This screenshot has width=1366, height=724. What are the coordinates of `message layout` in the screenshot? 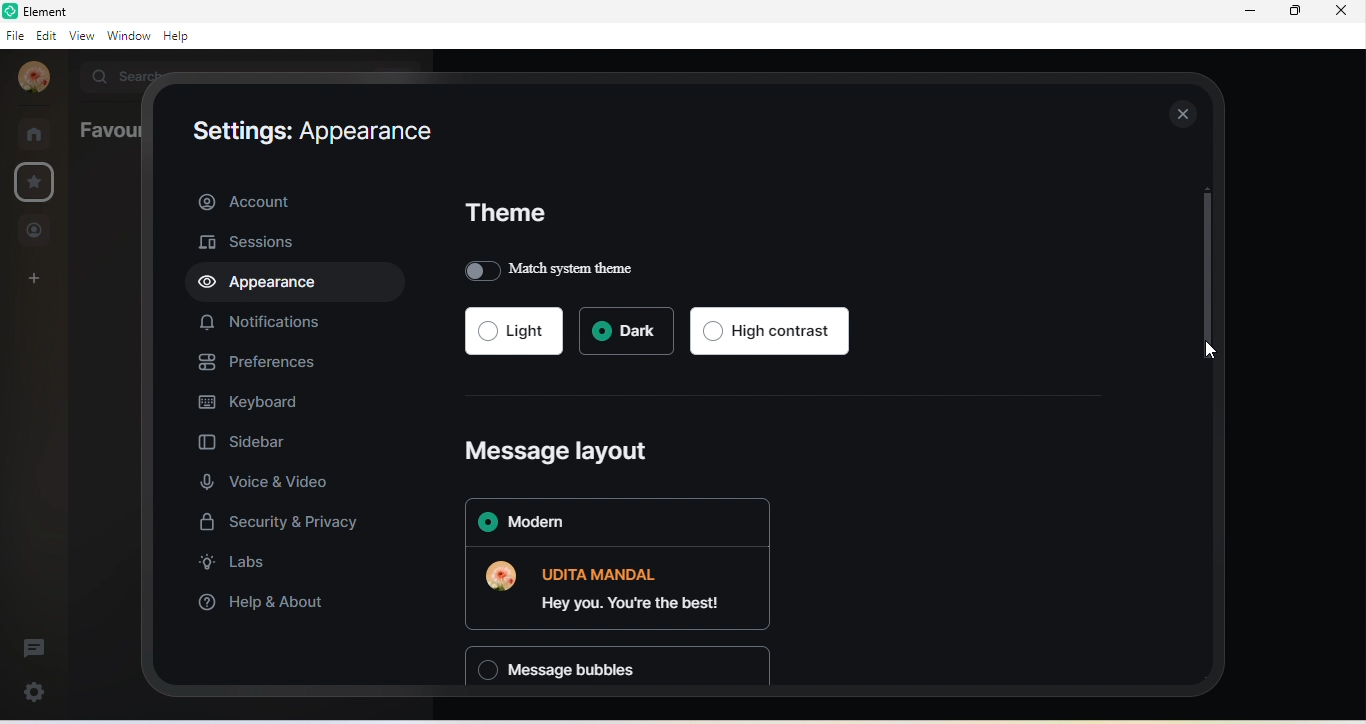 It's located at (563, 449).